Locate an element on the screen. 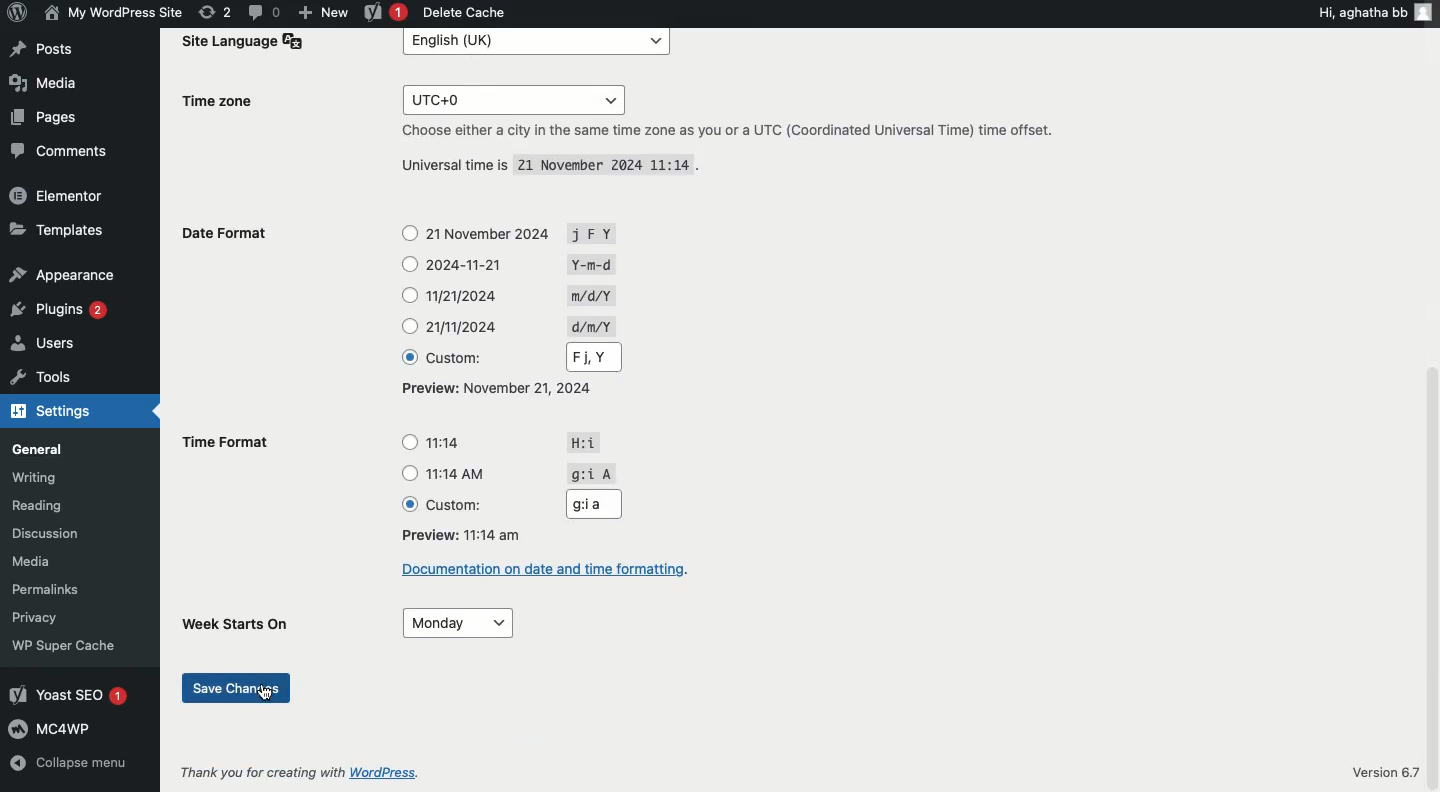 The width and height of the screenshot is (1440, 792). Users is located at coordinates (45, 343).